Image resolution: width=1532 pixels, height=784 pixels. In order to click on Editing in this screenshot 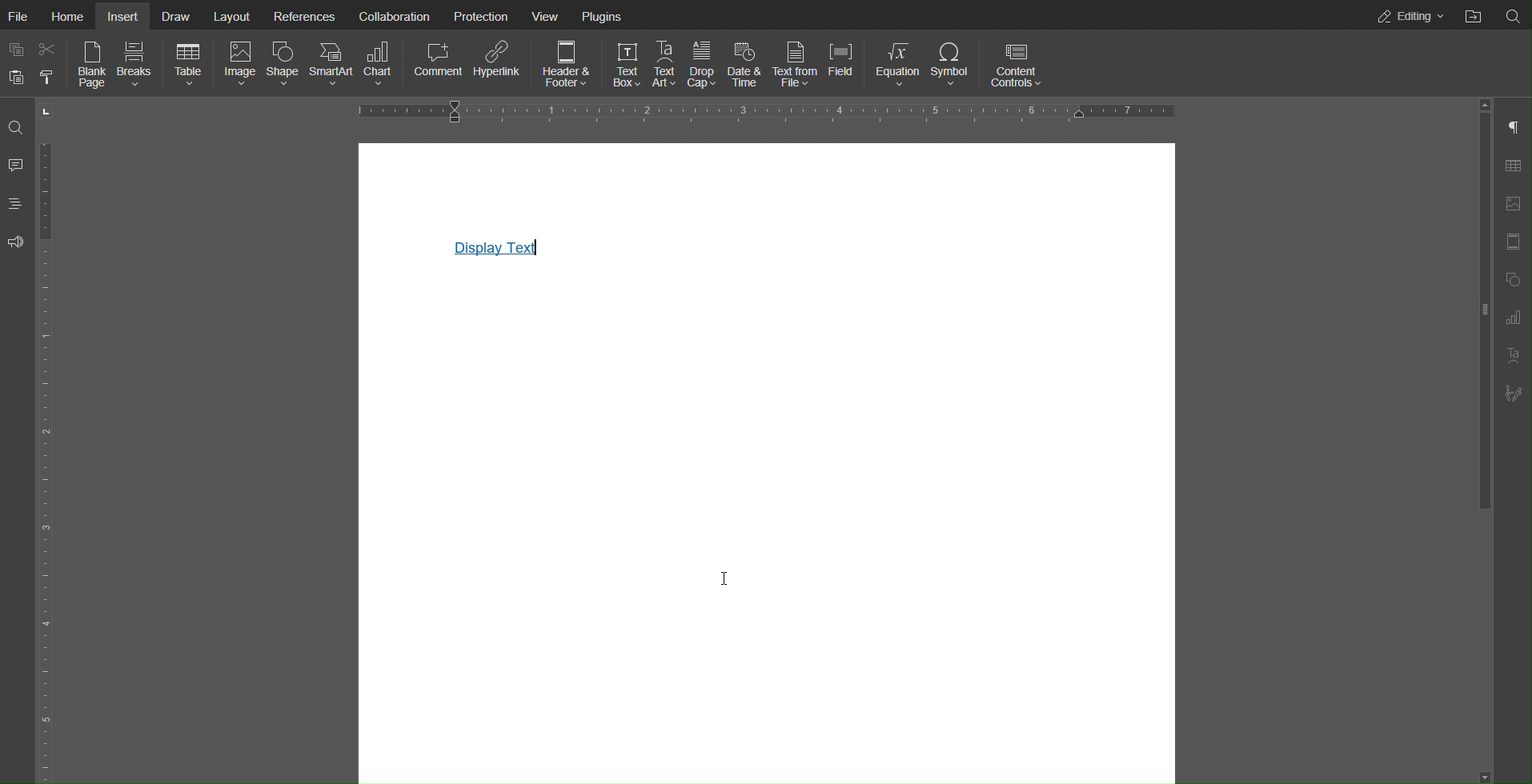, I will do `click(1409, 16)`.